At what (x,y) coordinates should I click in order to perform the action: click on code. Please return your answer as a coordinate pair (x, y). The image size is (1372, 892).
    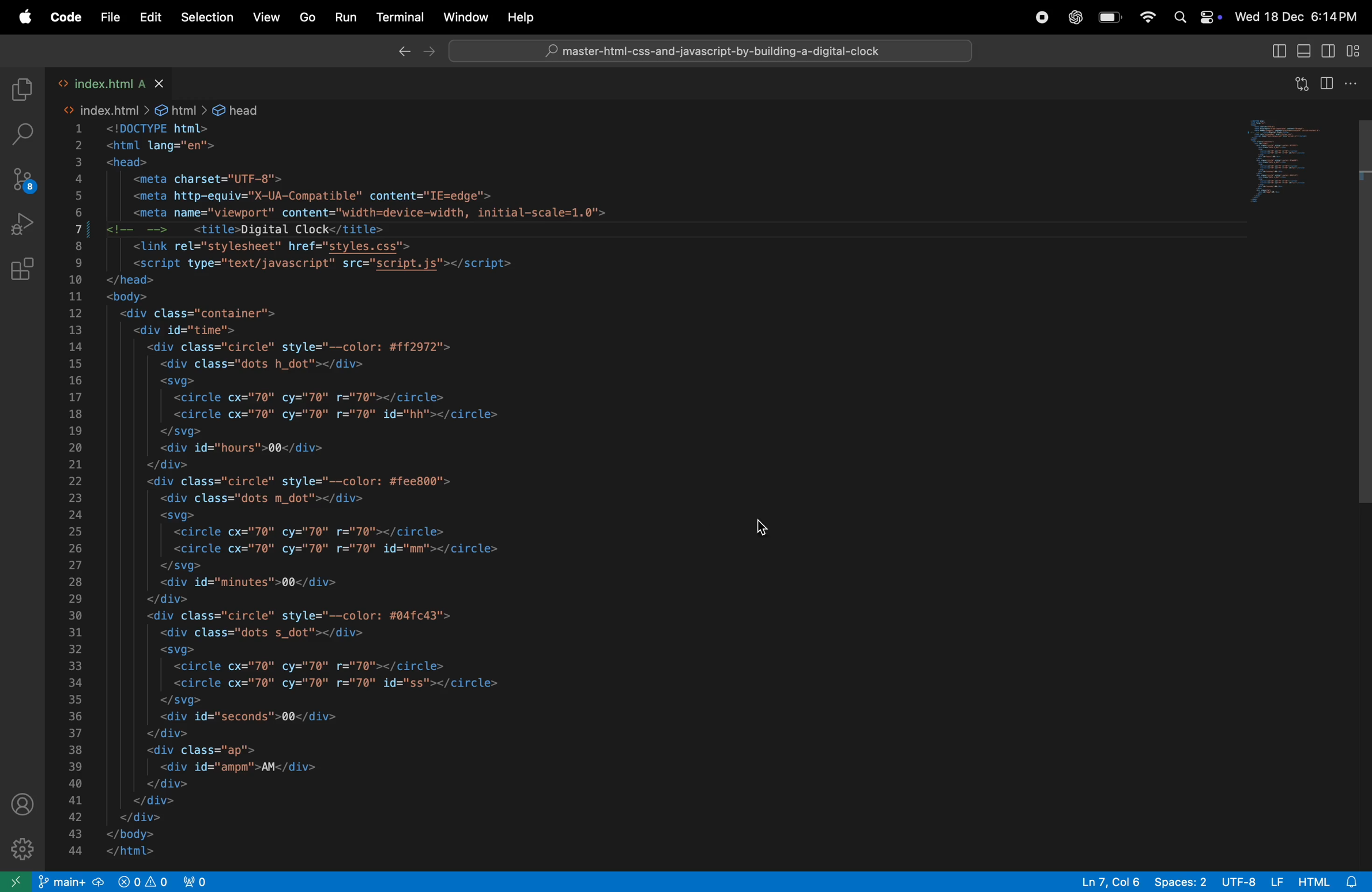
    Looking at the image, I should click on (70, 17).